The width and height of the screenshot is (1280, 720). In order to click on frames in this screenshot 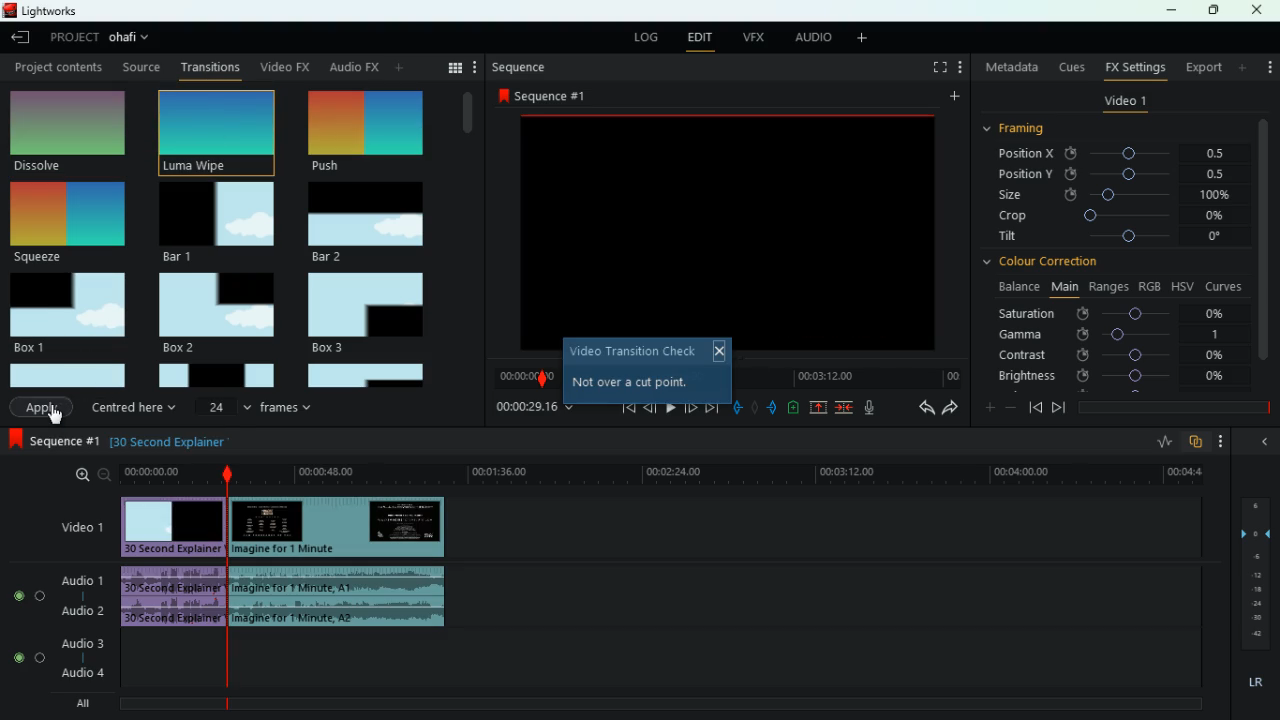, I will do `click(1253, 574)`.